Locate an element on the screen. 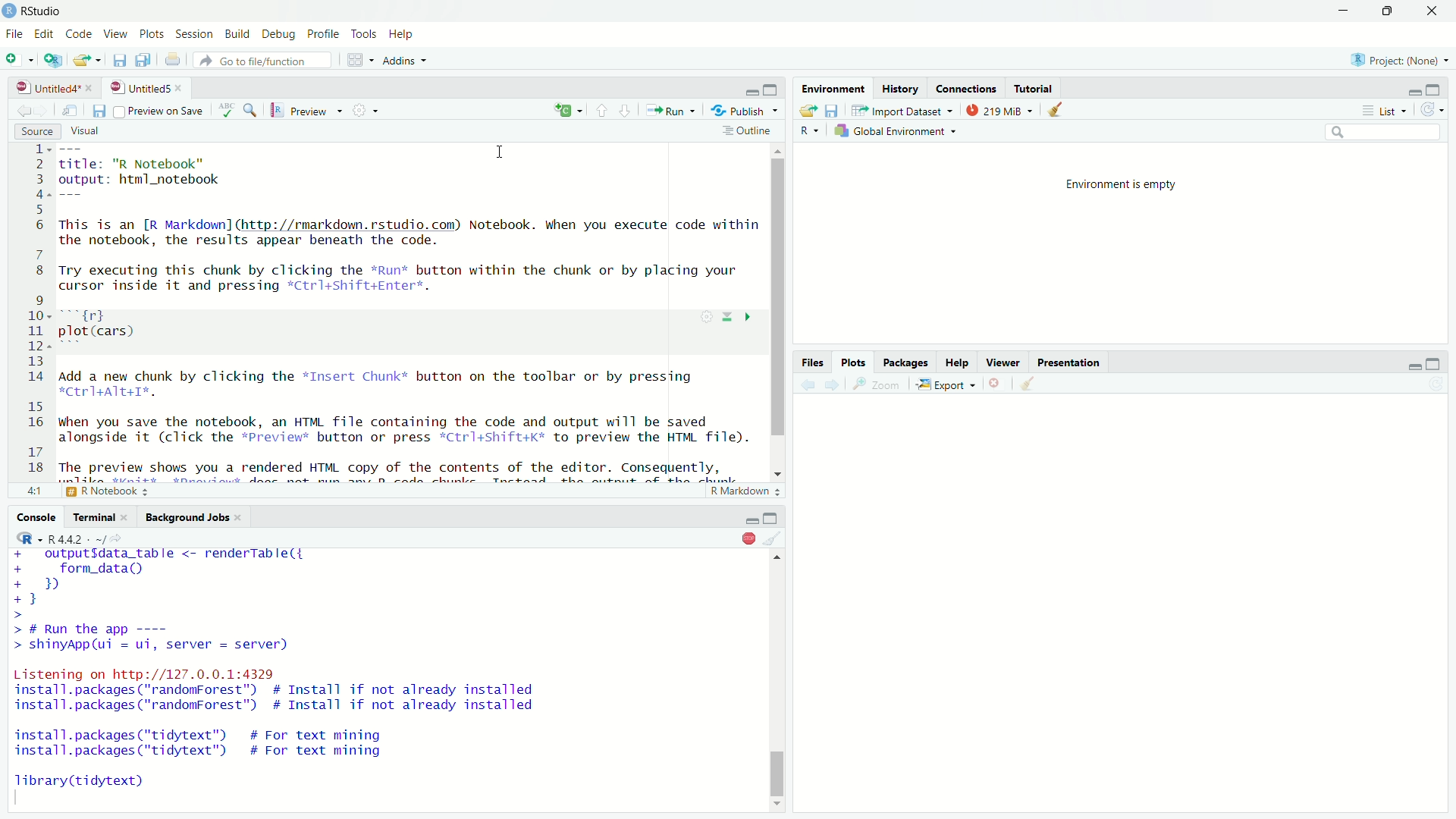 This screenshot has width=1456, height=819. show document outline is located at coordinates (748, 132).